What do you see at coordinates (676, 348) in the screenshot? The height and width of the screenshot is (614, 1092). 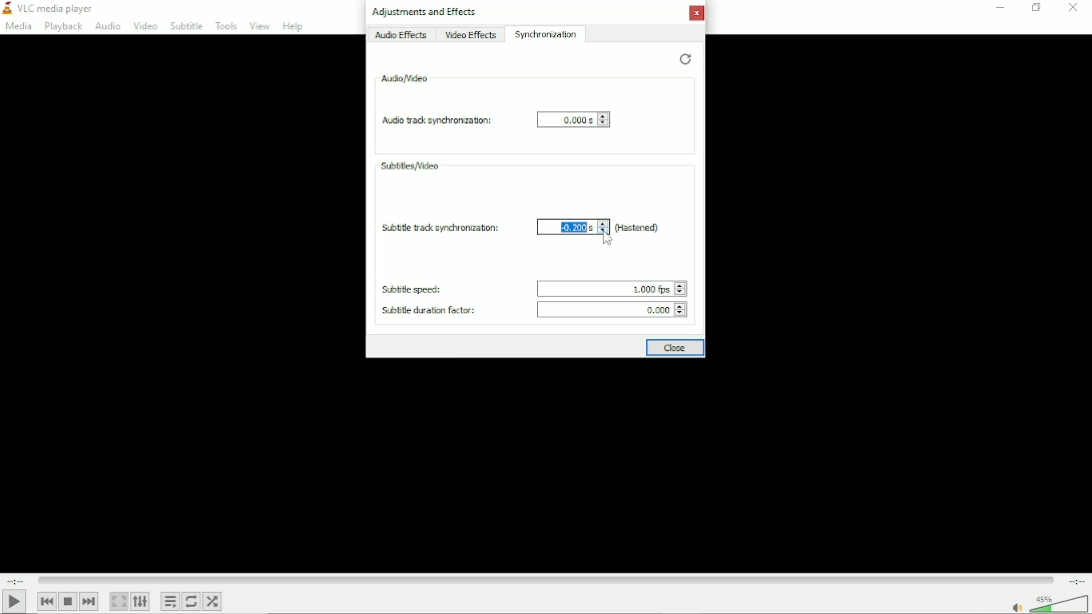 I see `Close` at bounding box center [676, 348].